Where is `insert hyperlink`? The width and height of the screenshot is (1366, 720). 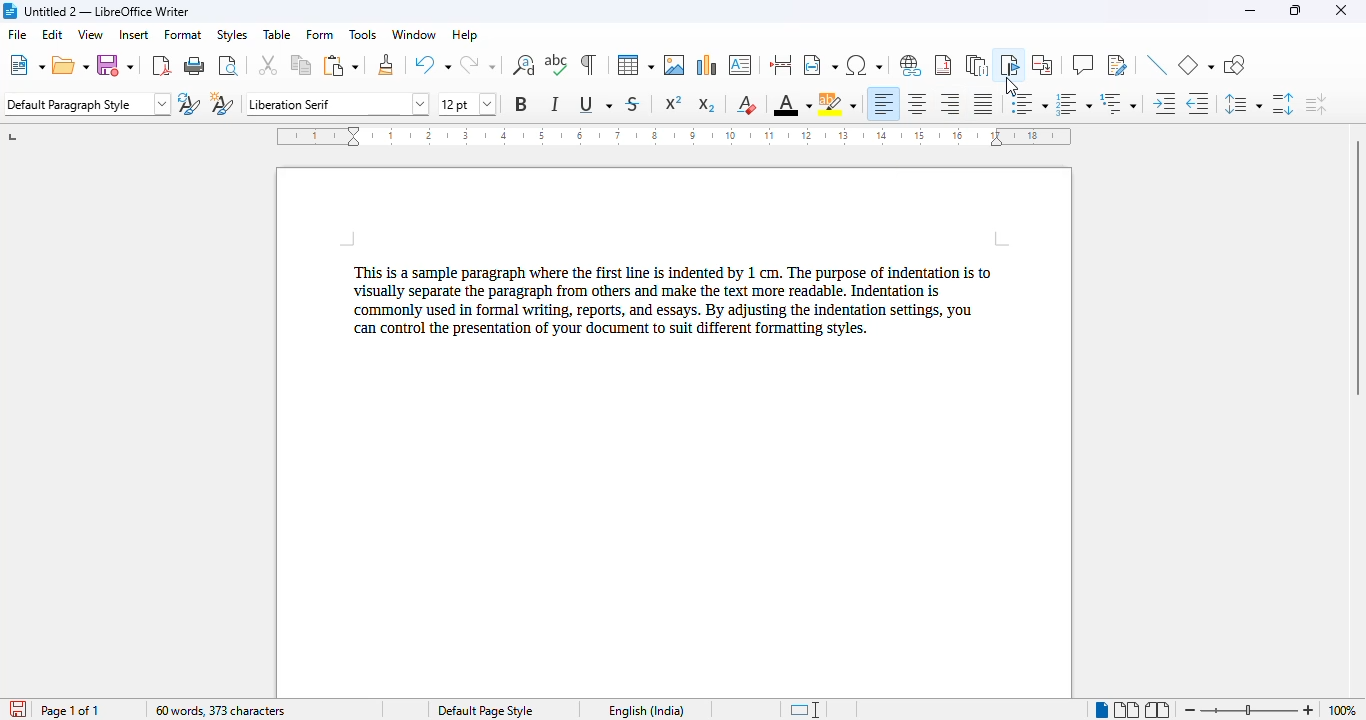
insert hyperlink is located at coordinates (911, 65).